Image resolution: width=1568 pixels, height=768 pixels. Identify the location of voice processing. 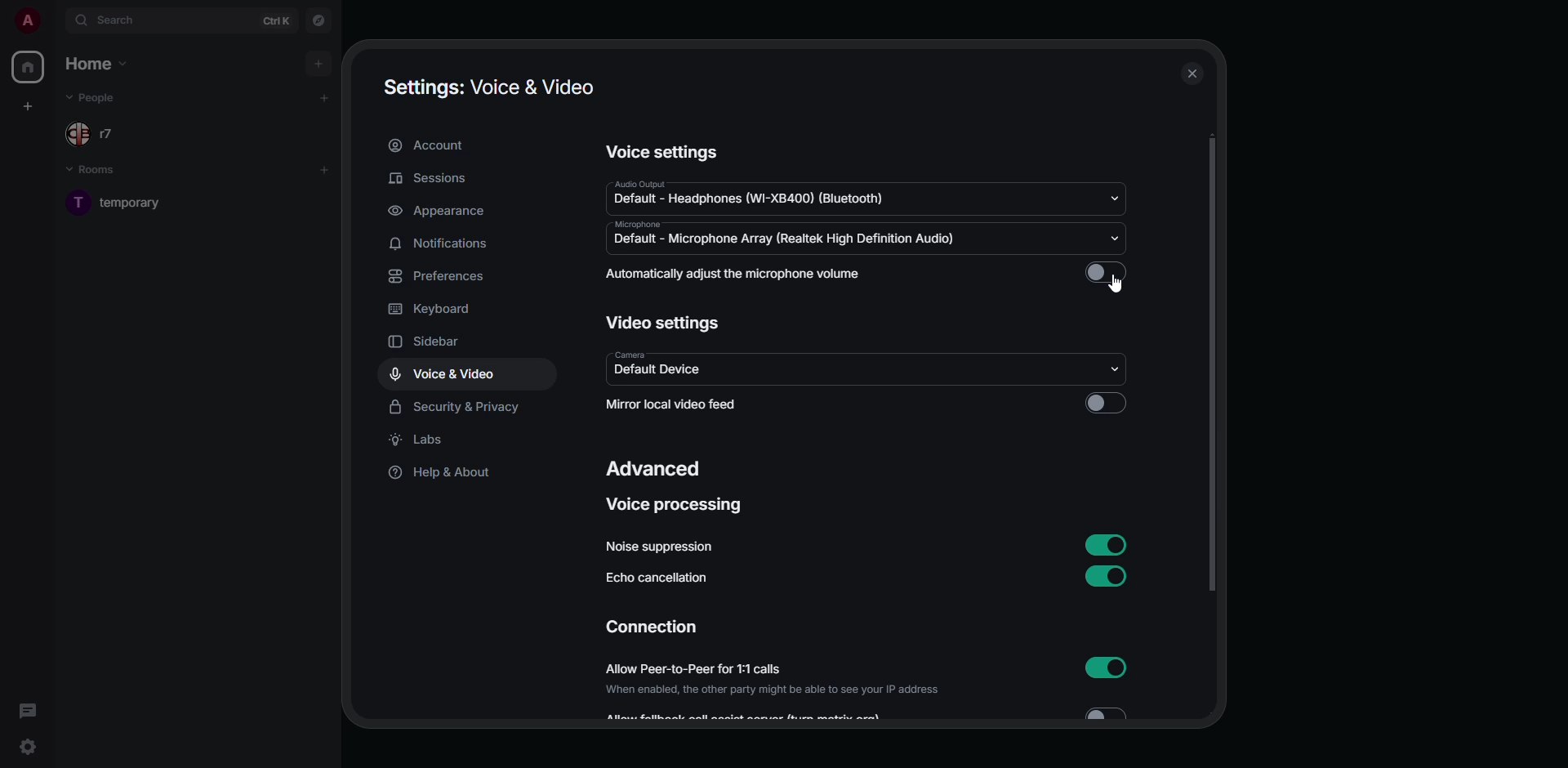
(676, 505).